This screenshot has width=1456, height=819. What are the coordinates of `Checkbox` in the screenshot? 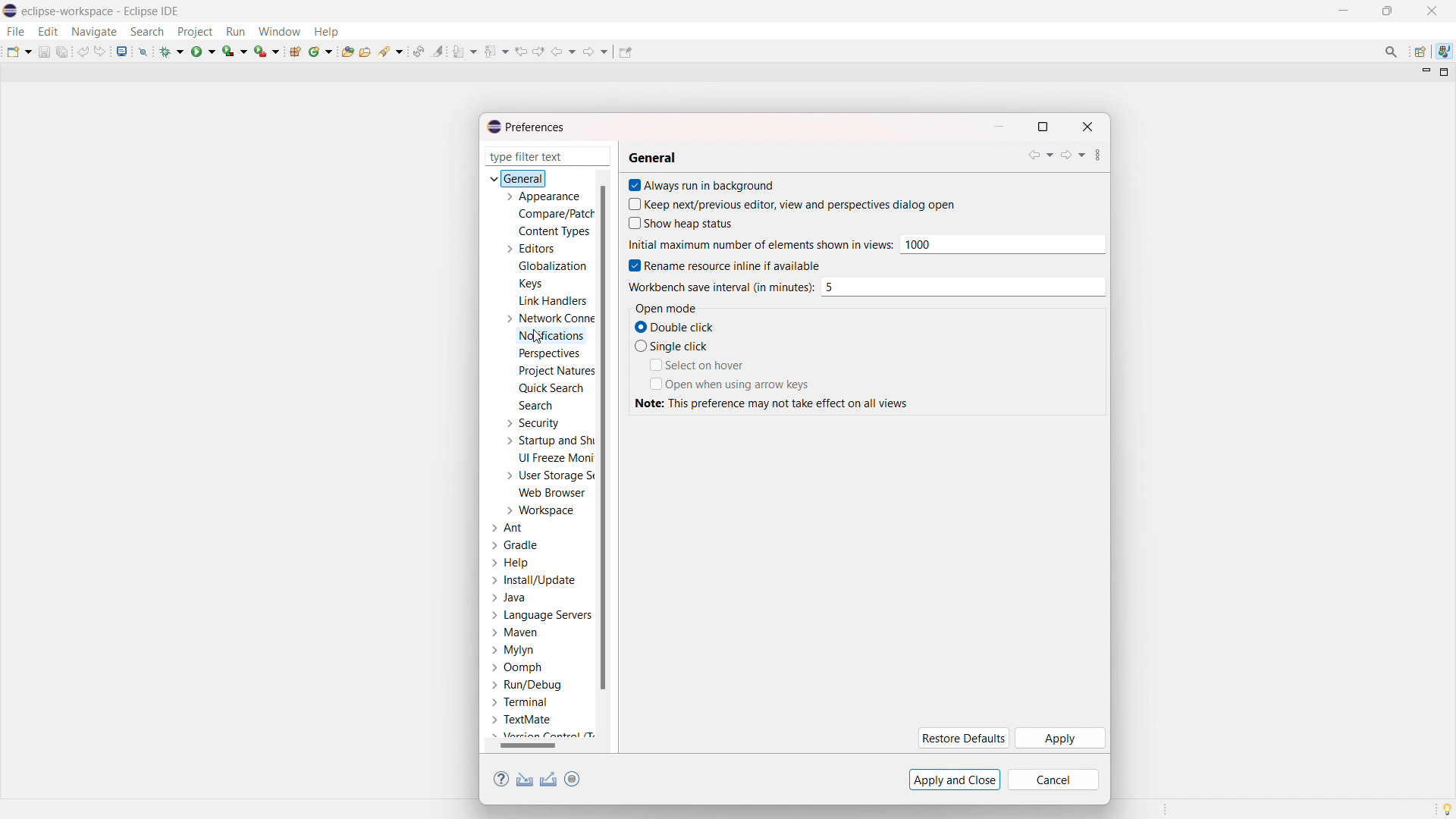 It's located at (639, 326).